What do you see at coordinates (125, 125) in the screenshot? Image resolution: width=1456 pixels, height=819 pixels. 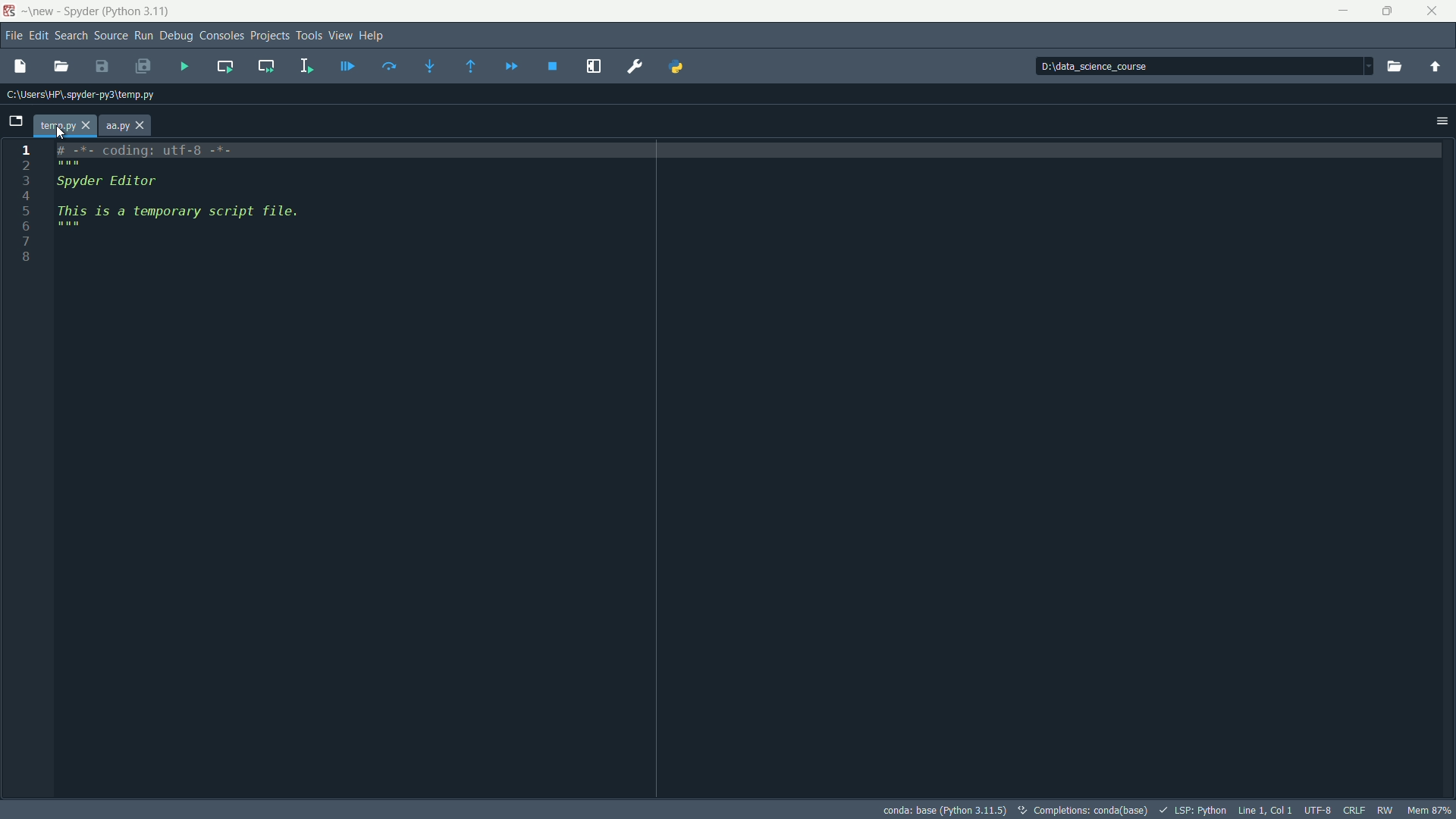 I see `file name` at bounding box center [125, 125].